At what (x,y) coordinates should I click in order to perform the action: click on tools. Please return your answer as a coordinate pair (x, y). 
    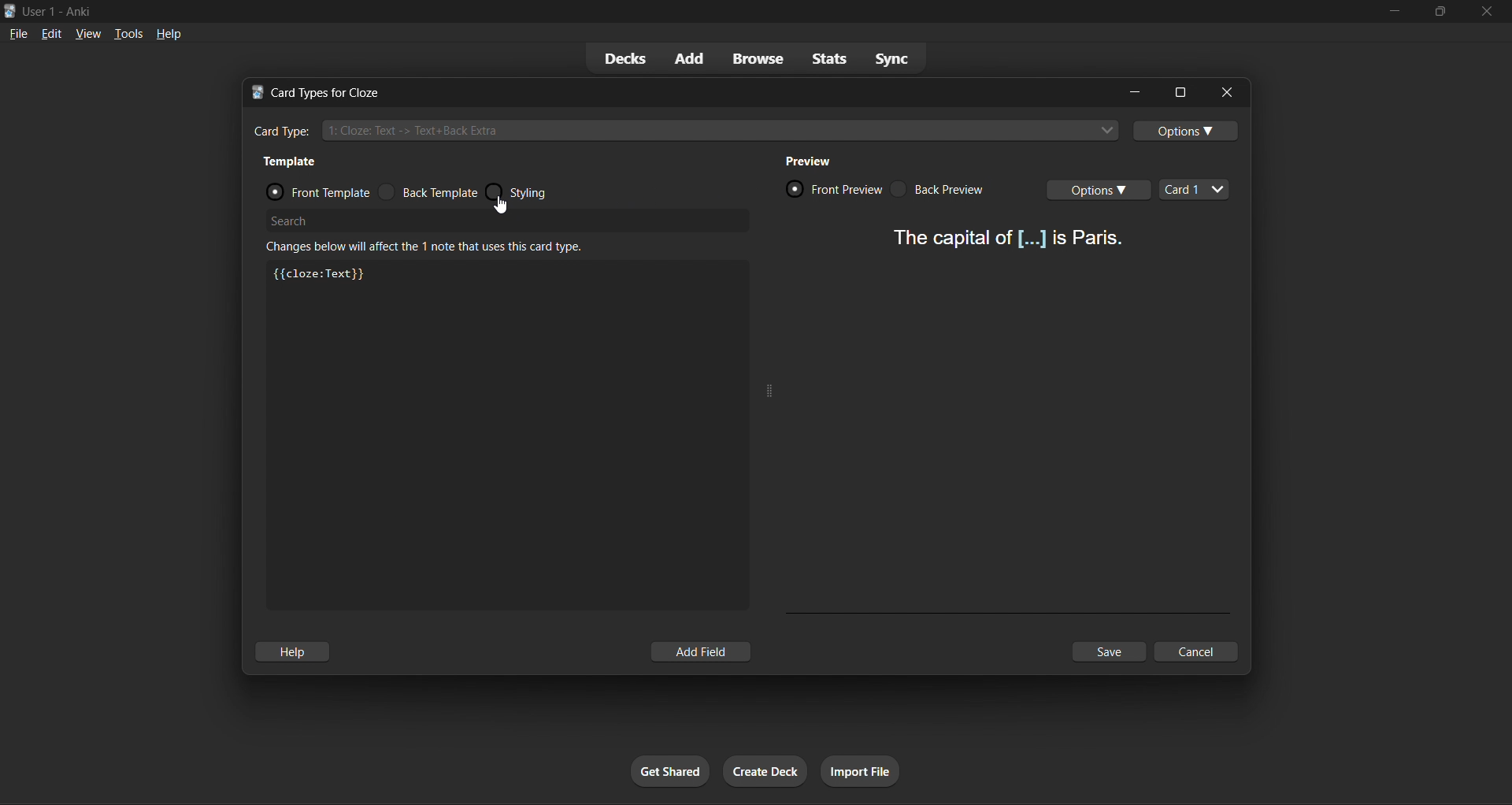
    Looking at the image, I should click on (128, 33).